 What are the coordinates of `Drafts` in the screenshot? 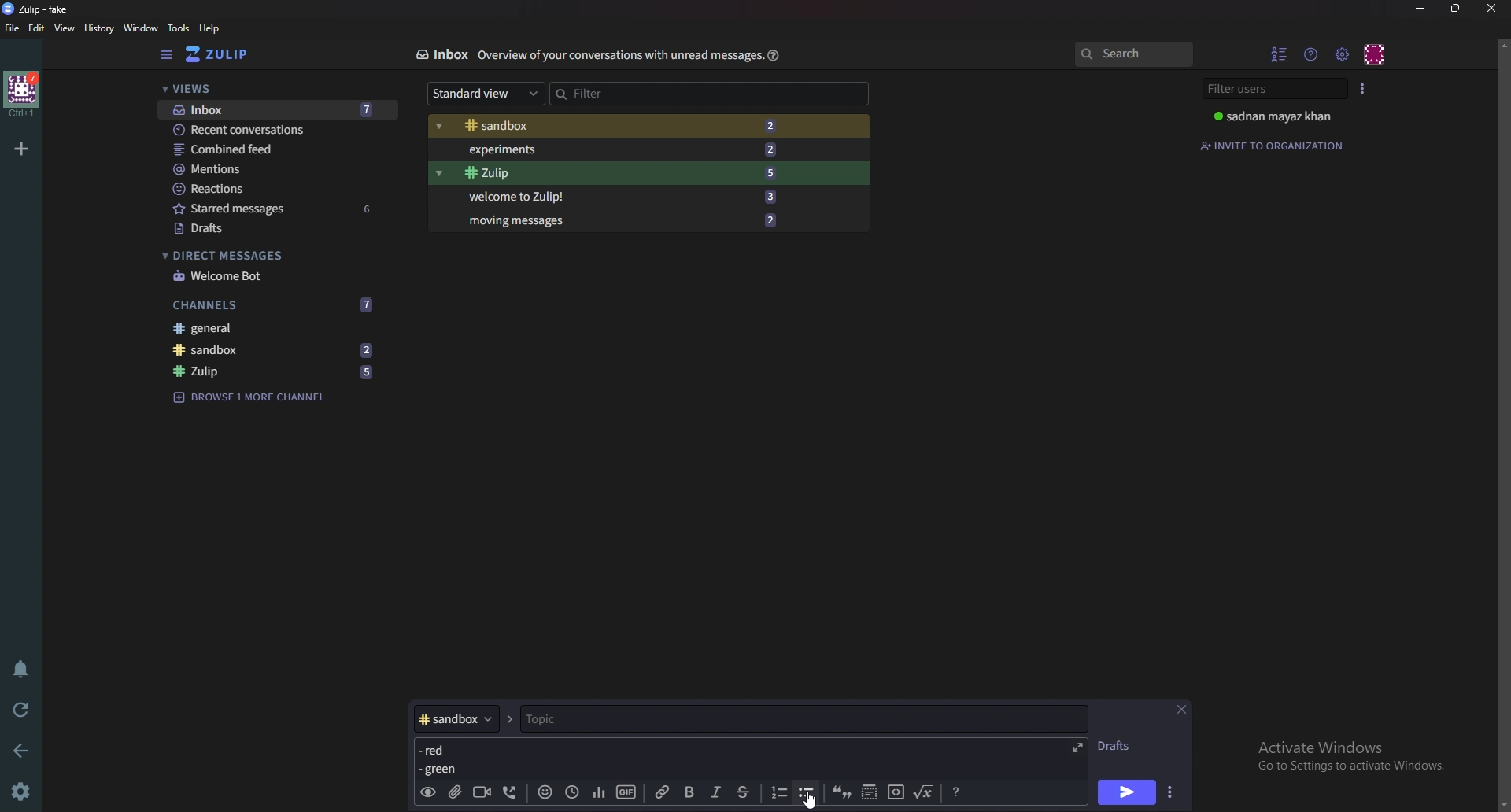 It's located at (275, 230).